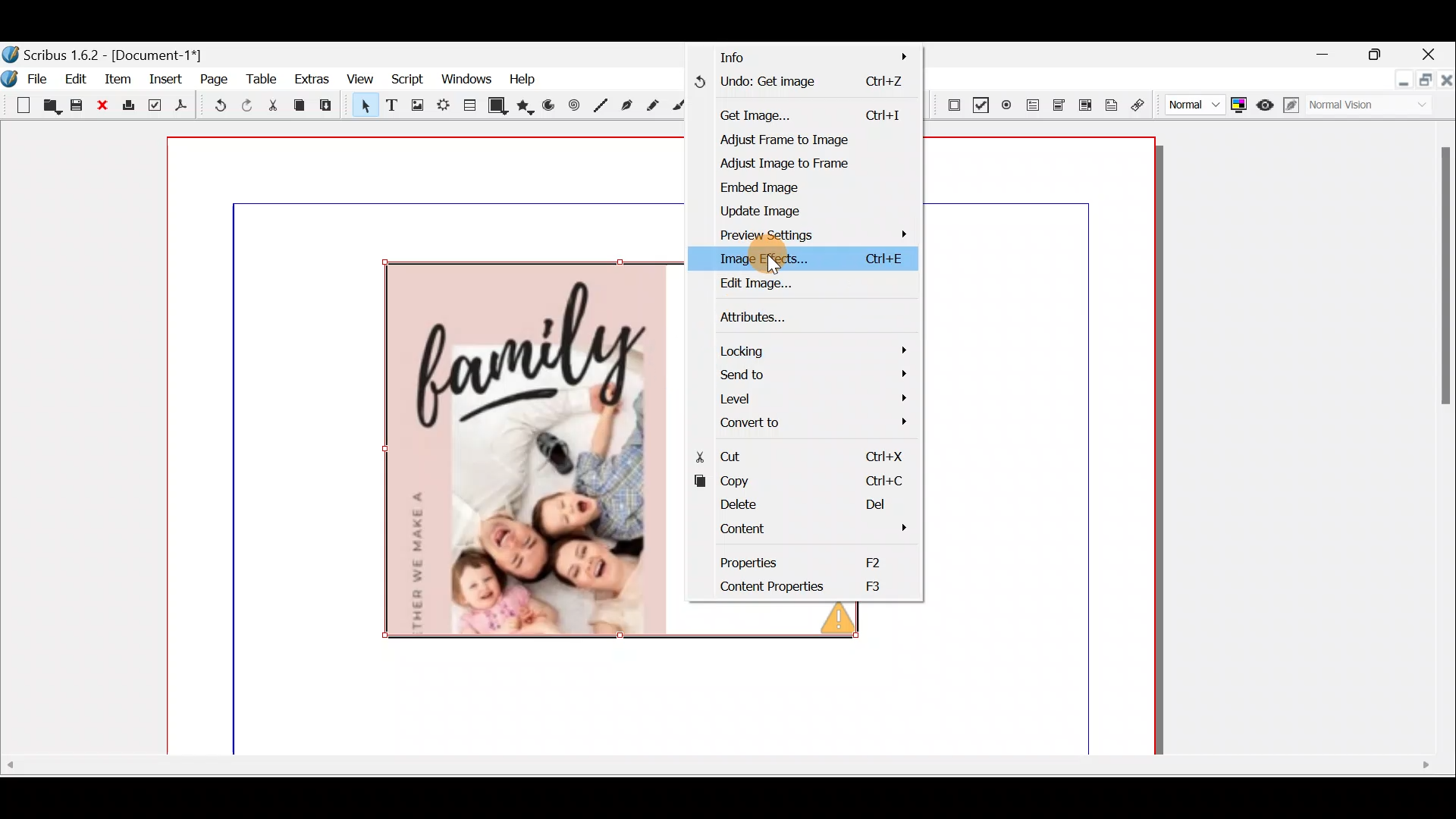  Describe the element at coordinates (723, 770) in the screenshot. I see `Scroll bar` at that location.